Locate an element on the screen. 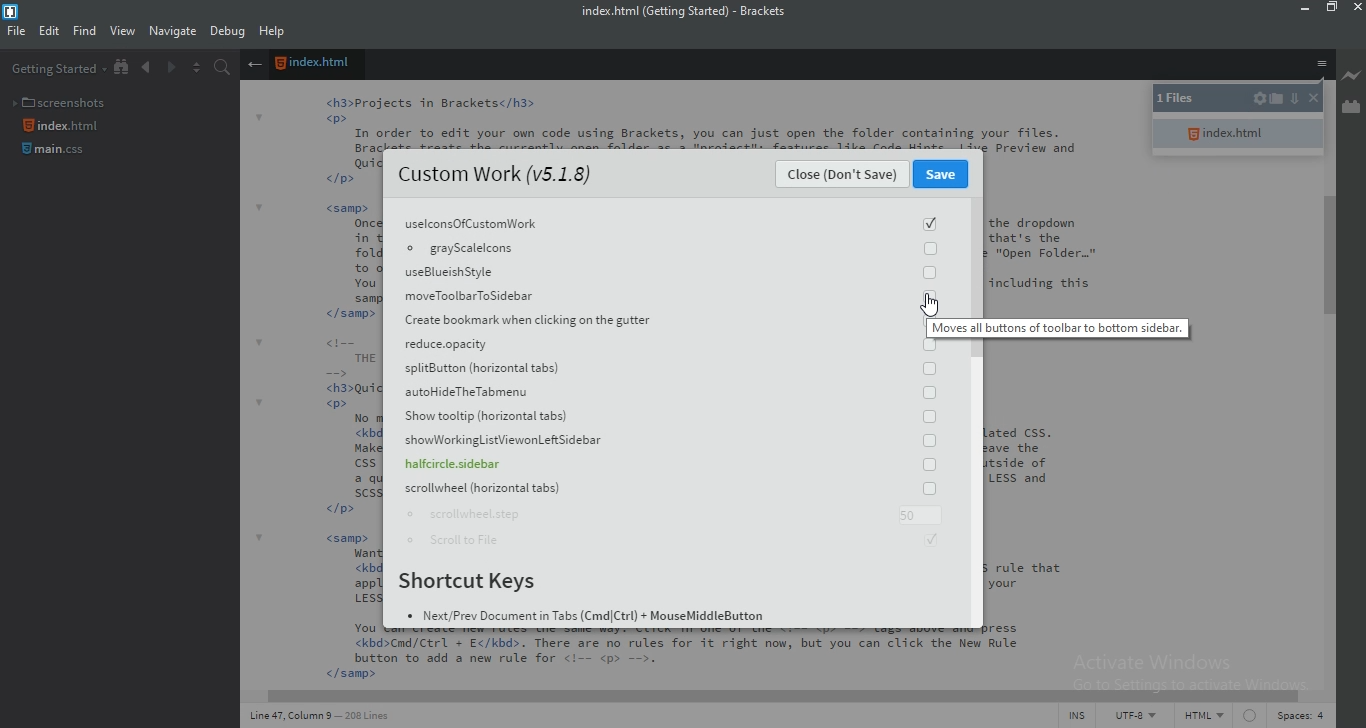 This screenshot has width=1366, height=728. Show file tree is located at coordinates (123, 68).